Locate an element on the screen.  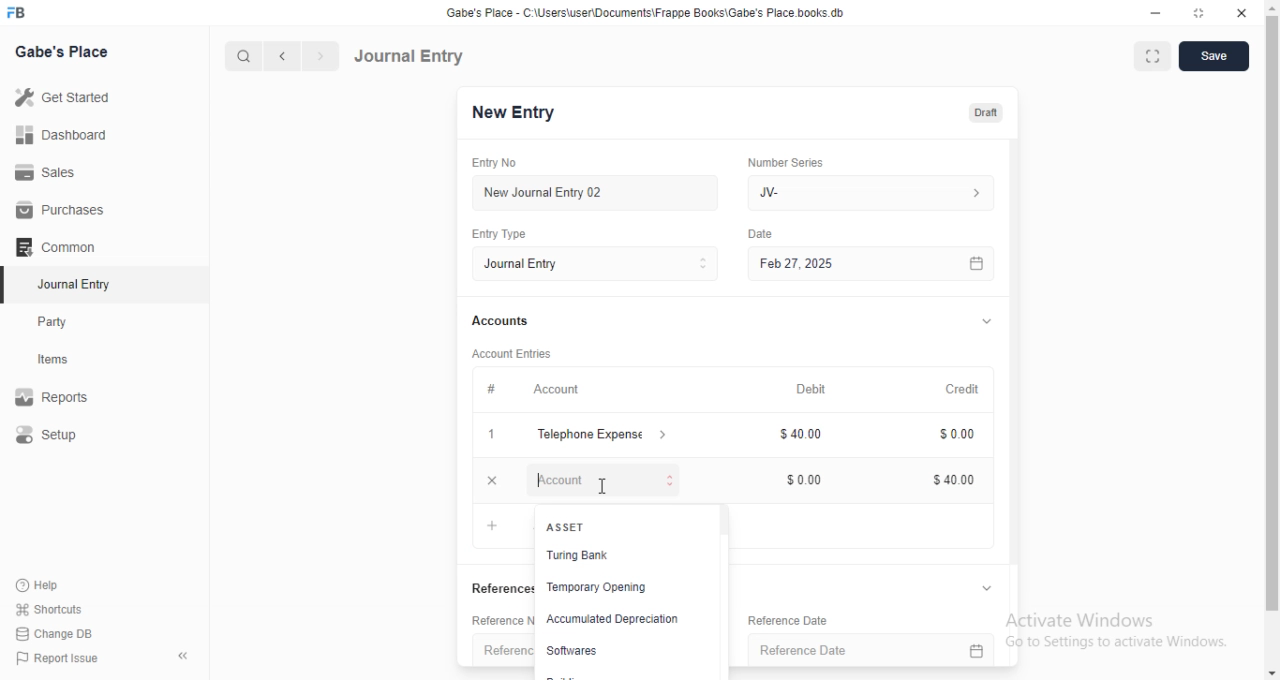
Feb 27, 2025 is located at coordinates (883, 264).